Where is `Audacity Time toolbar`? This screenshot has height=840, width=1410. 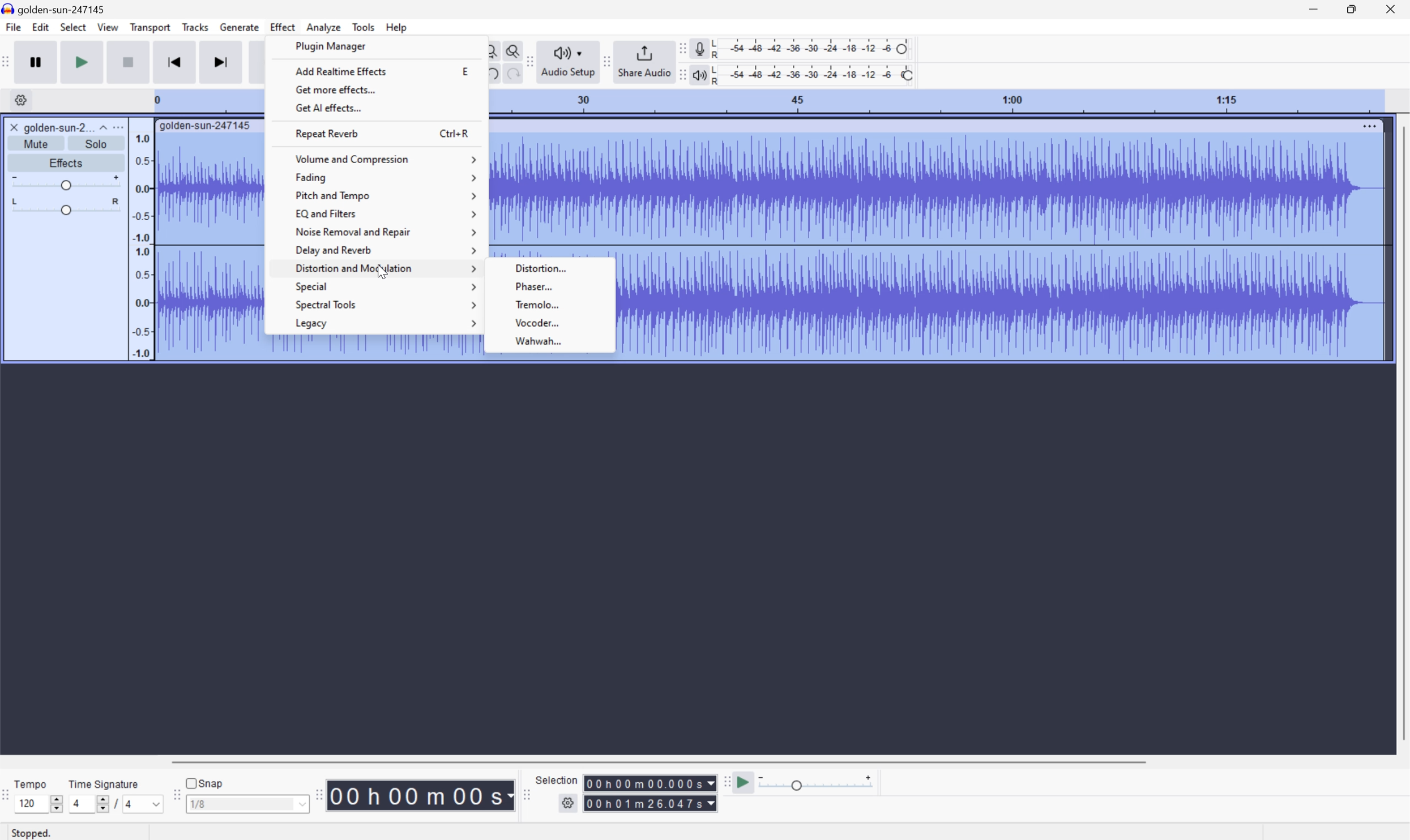
Audacity Time toolbar is located at coordinates (317, 795).